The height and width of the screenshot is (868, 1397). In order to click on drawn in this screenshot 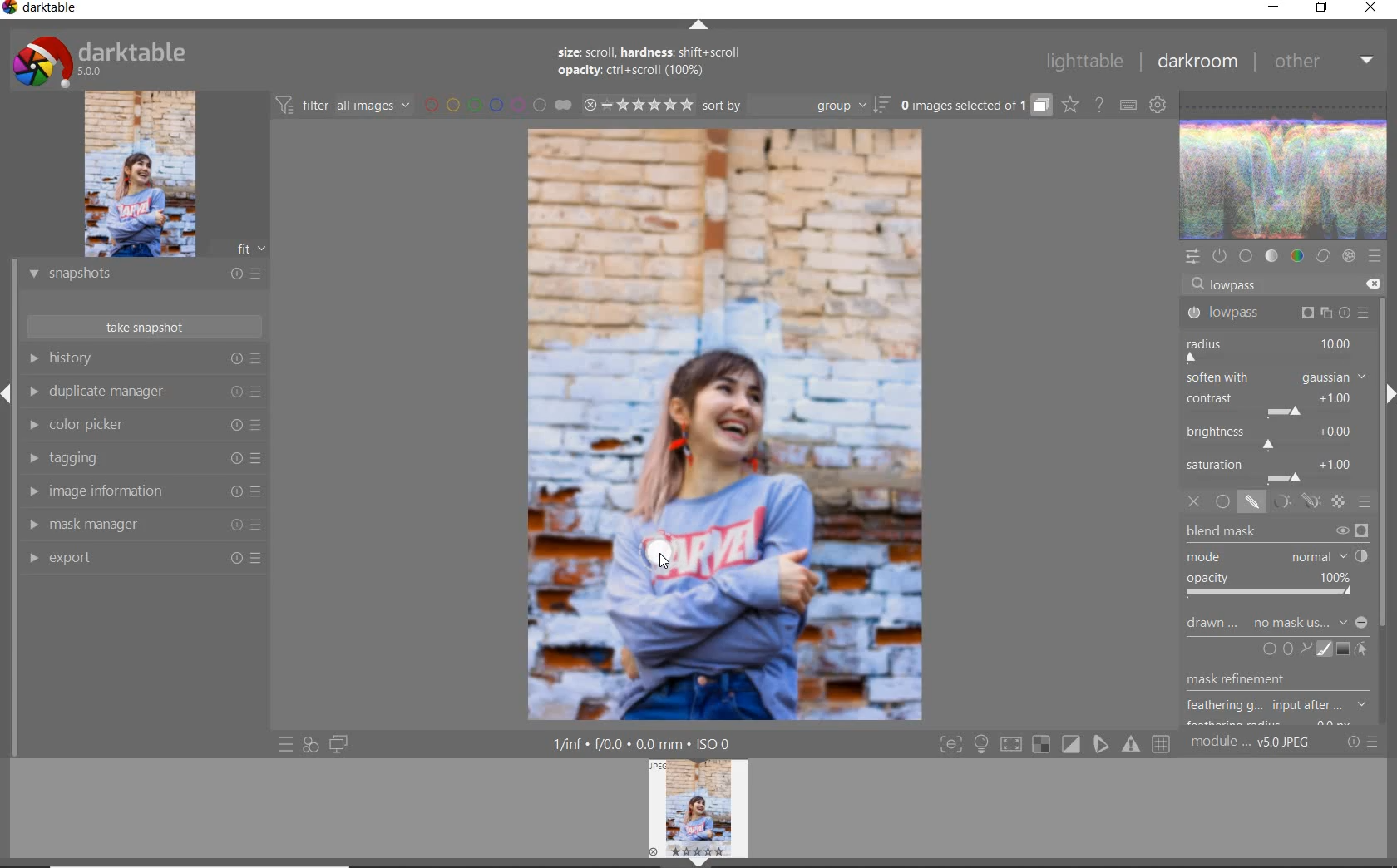, I will do `click(1213, 625)`.